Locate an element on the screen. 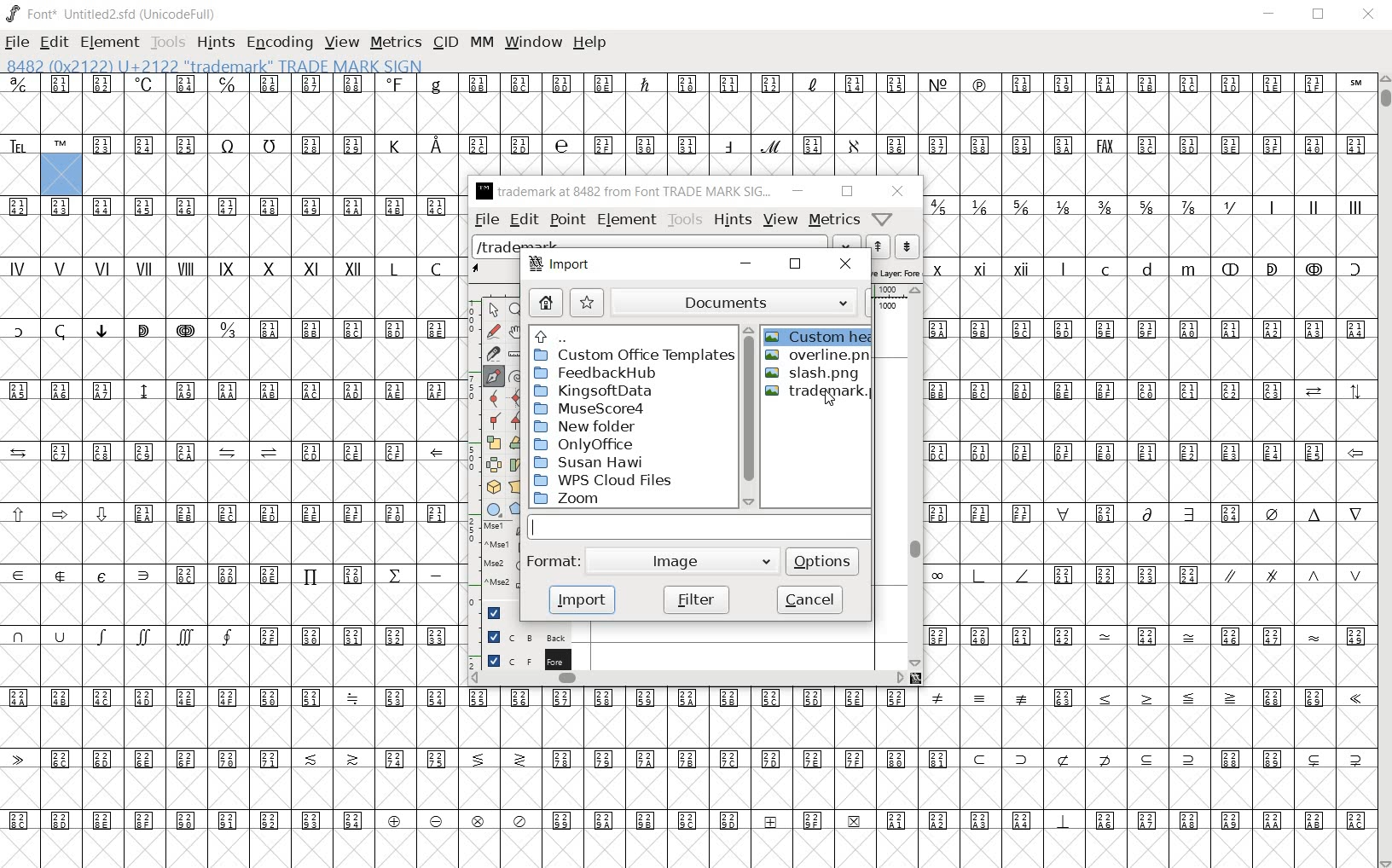 This screenshot has width=1392, height=868. SCROLLBAR is located at coordinates (1383, 472).